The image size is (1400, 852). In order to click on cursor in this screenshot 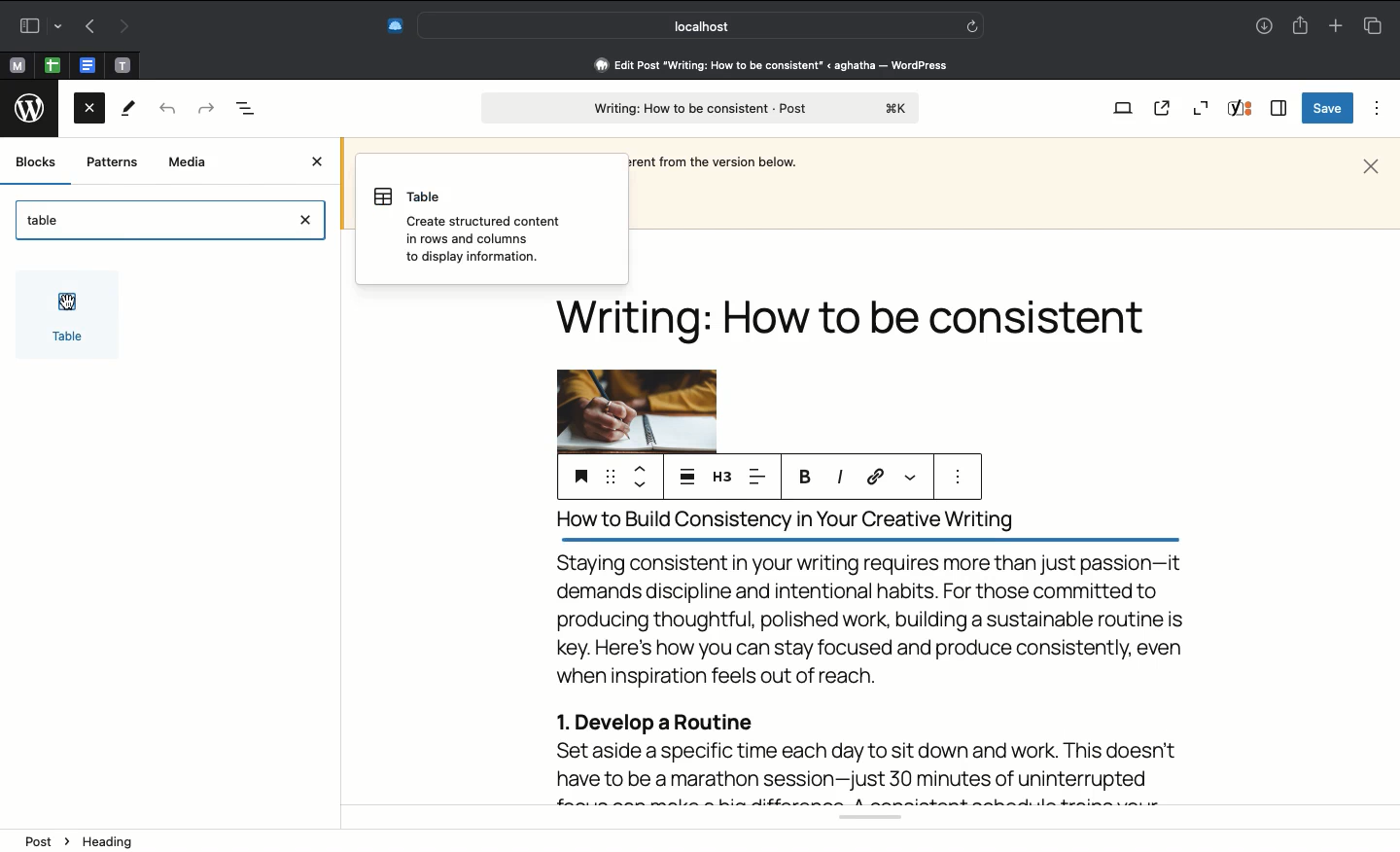, I will do `click(60, 303)`.